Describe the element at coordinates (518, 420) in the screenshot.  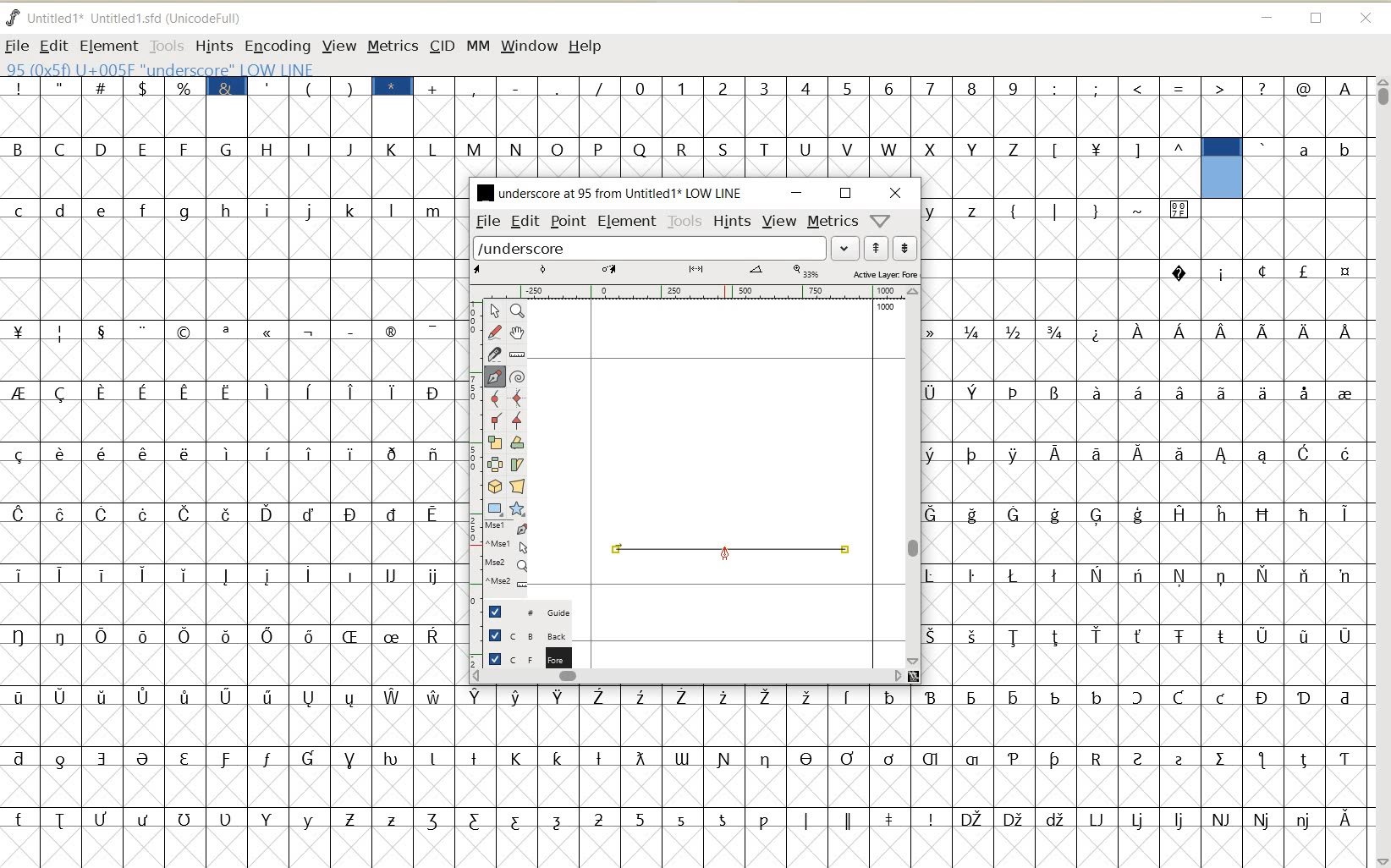
I see `Add a corner point` at that location.